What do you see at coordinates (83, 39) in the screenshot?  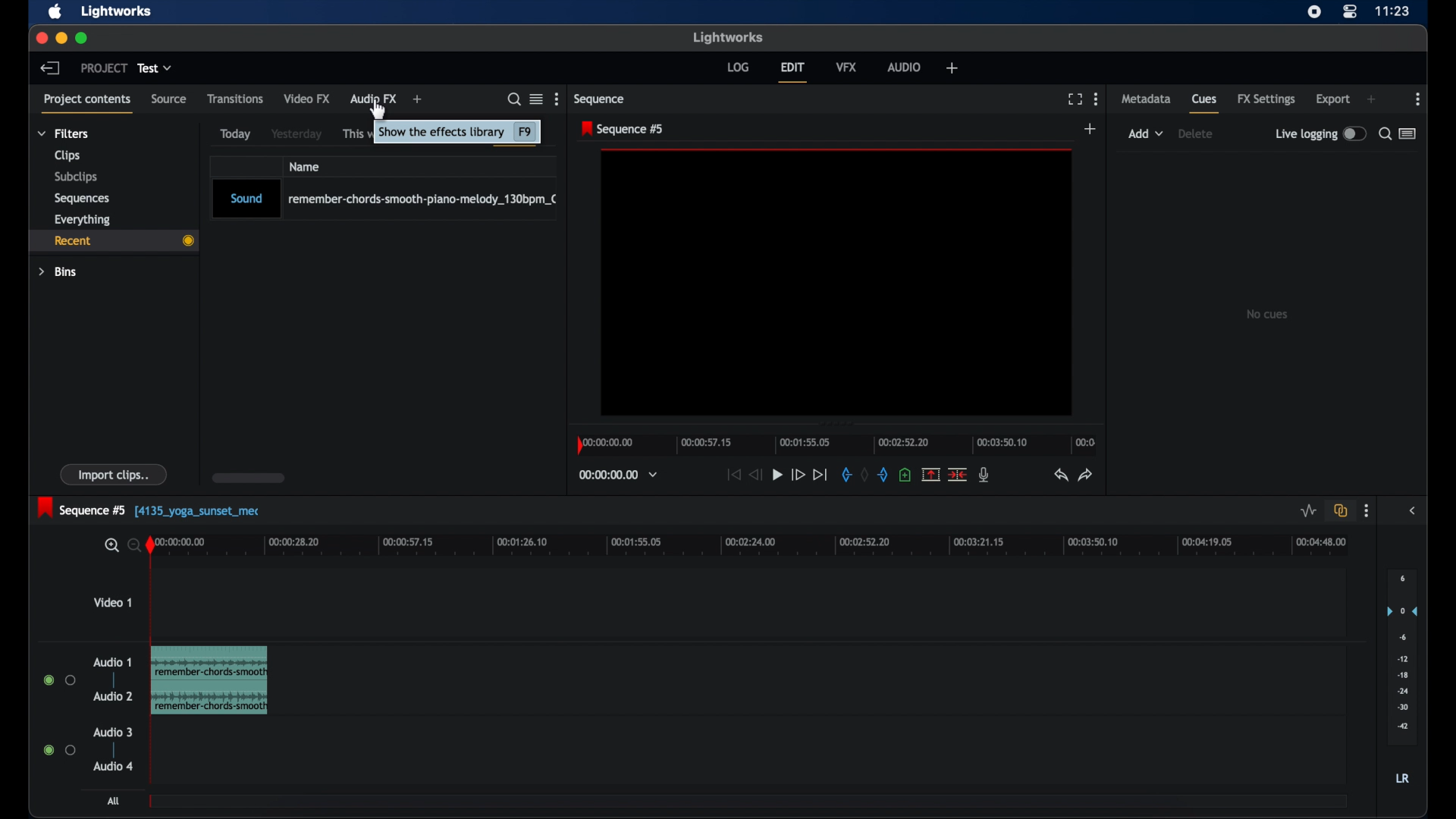 I see `maximize` at bounding box center [83, 39].